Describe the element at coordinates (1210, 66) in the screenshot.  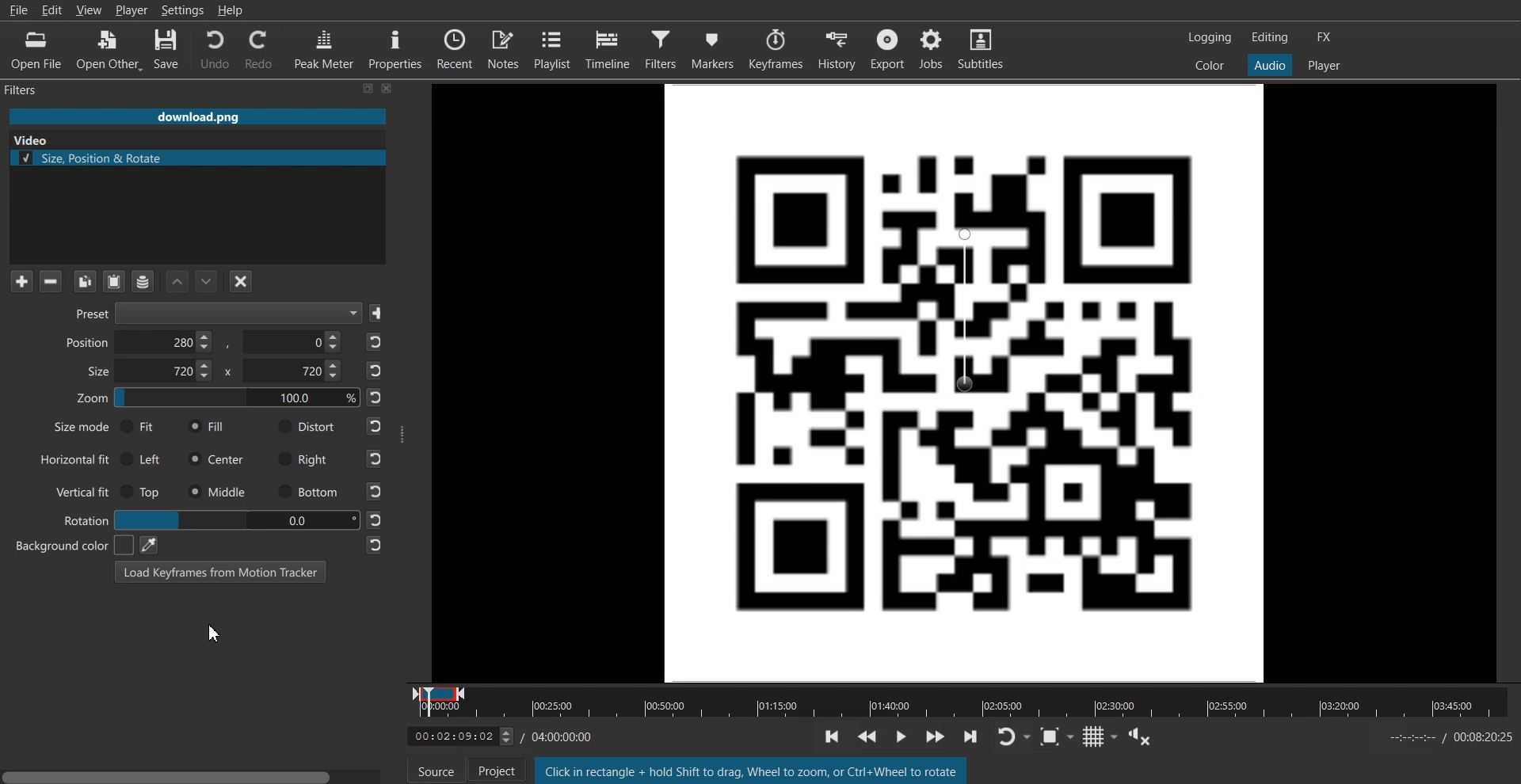
I see `Switch to the color layout` at that location.